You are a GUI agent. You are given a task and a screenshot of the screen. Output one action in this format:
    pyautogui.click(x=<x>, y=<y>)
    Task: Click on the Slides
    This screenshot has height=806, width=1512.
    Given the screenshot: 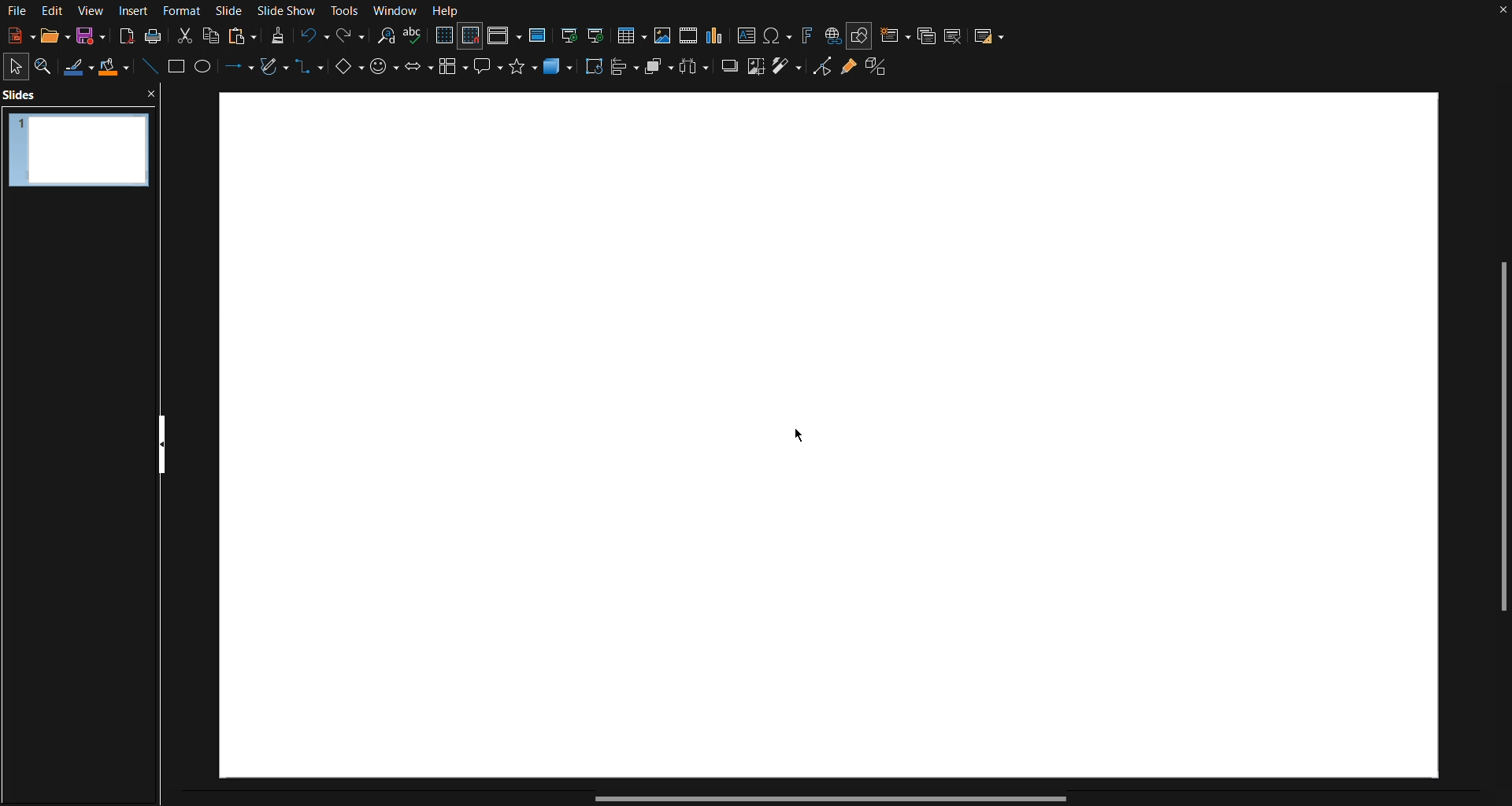 What is the action you would take?
    pyautogui.click(x=24, y=94)
    